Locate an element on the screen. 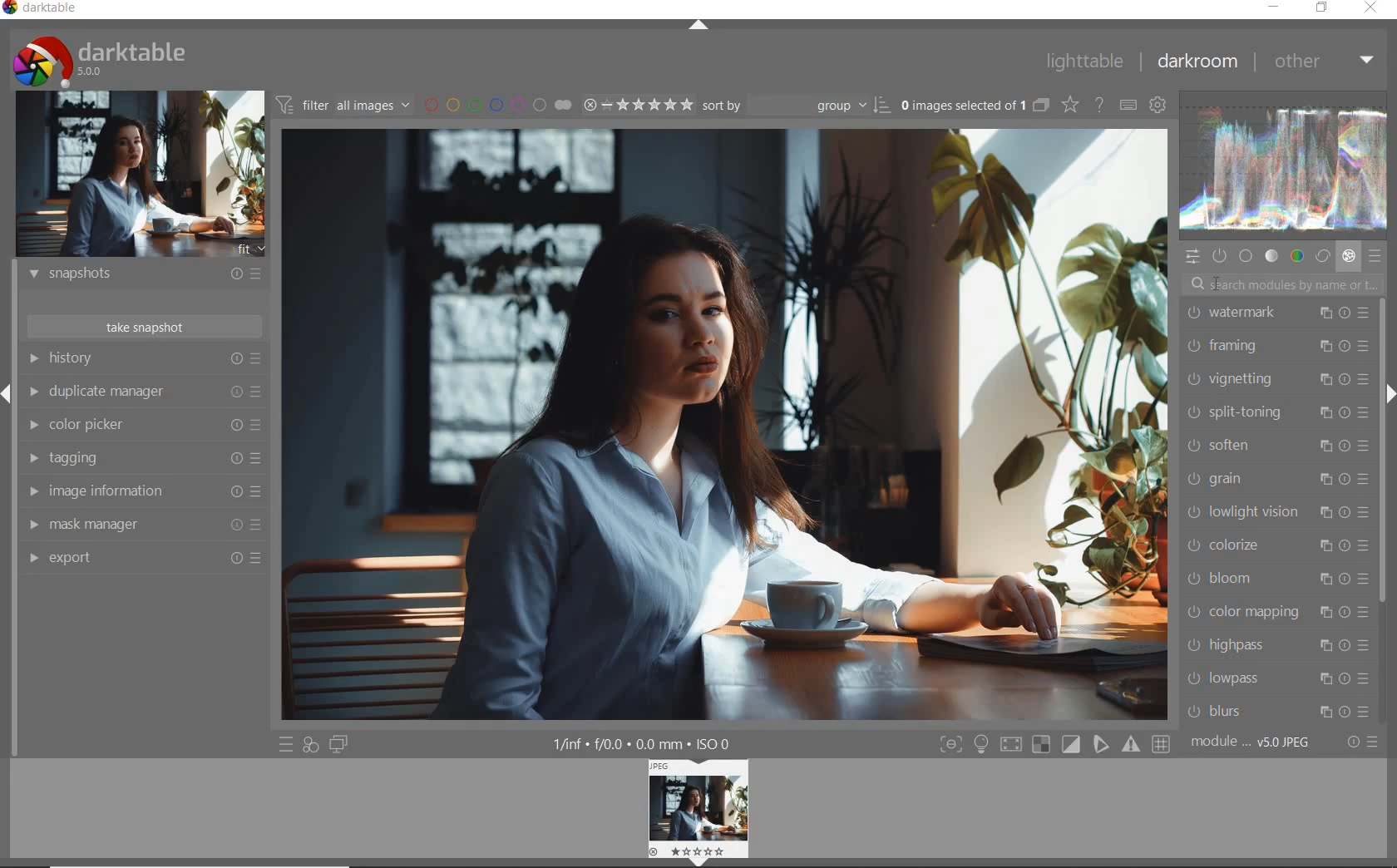 The width and height of the screenshot is (1397, 868). mask manager is located at coordinates (141, 523).